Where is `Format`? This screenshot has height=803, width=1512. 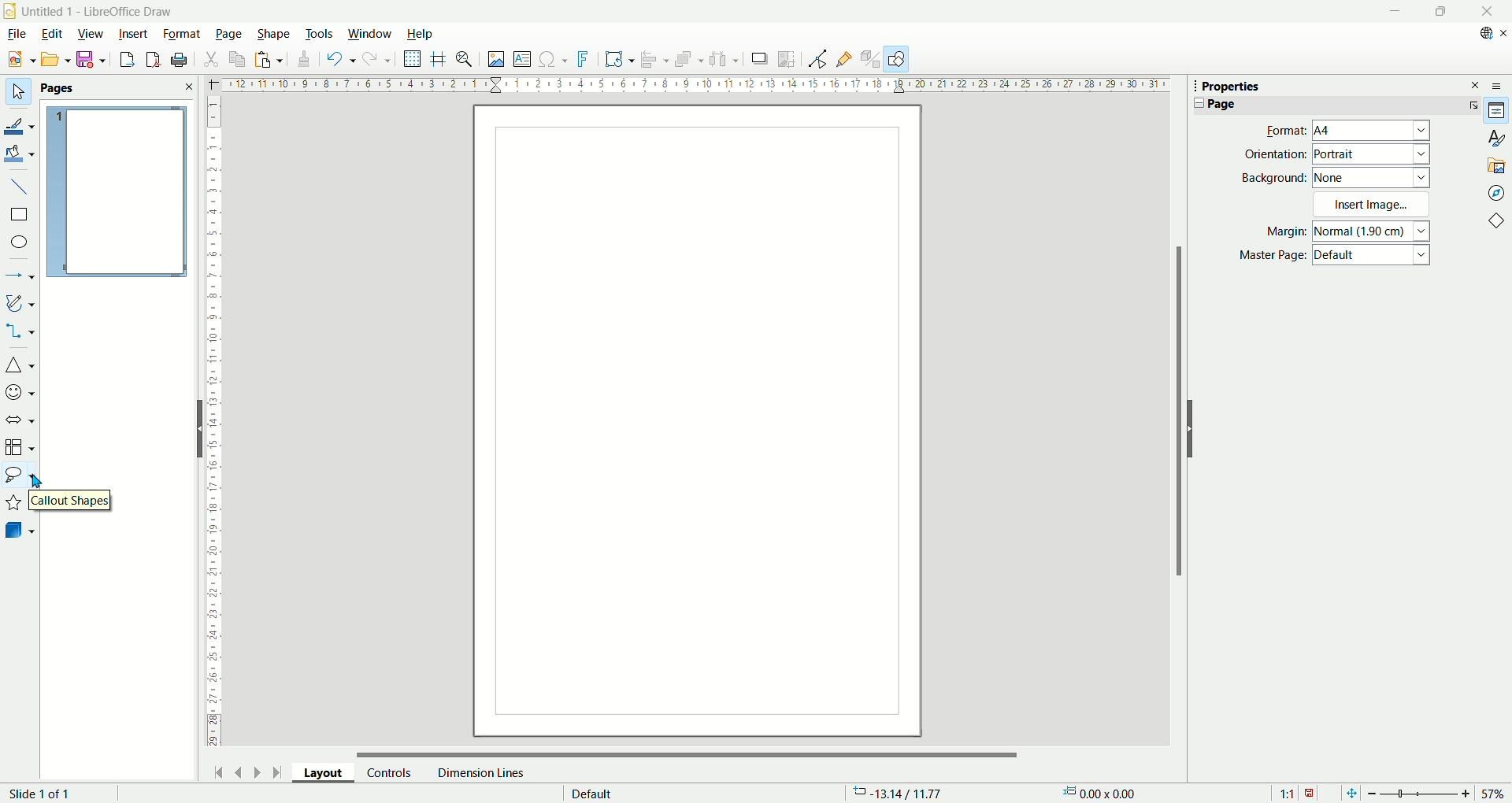 Format is located at coordinates (1281, 130).